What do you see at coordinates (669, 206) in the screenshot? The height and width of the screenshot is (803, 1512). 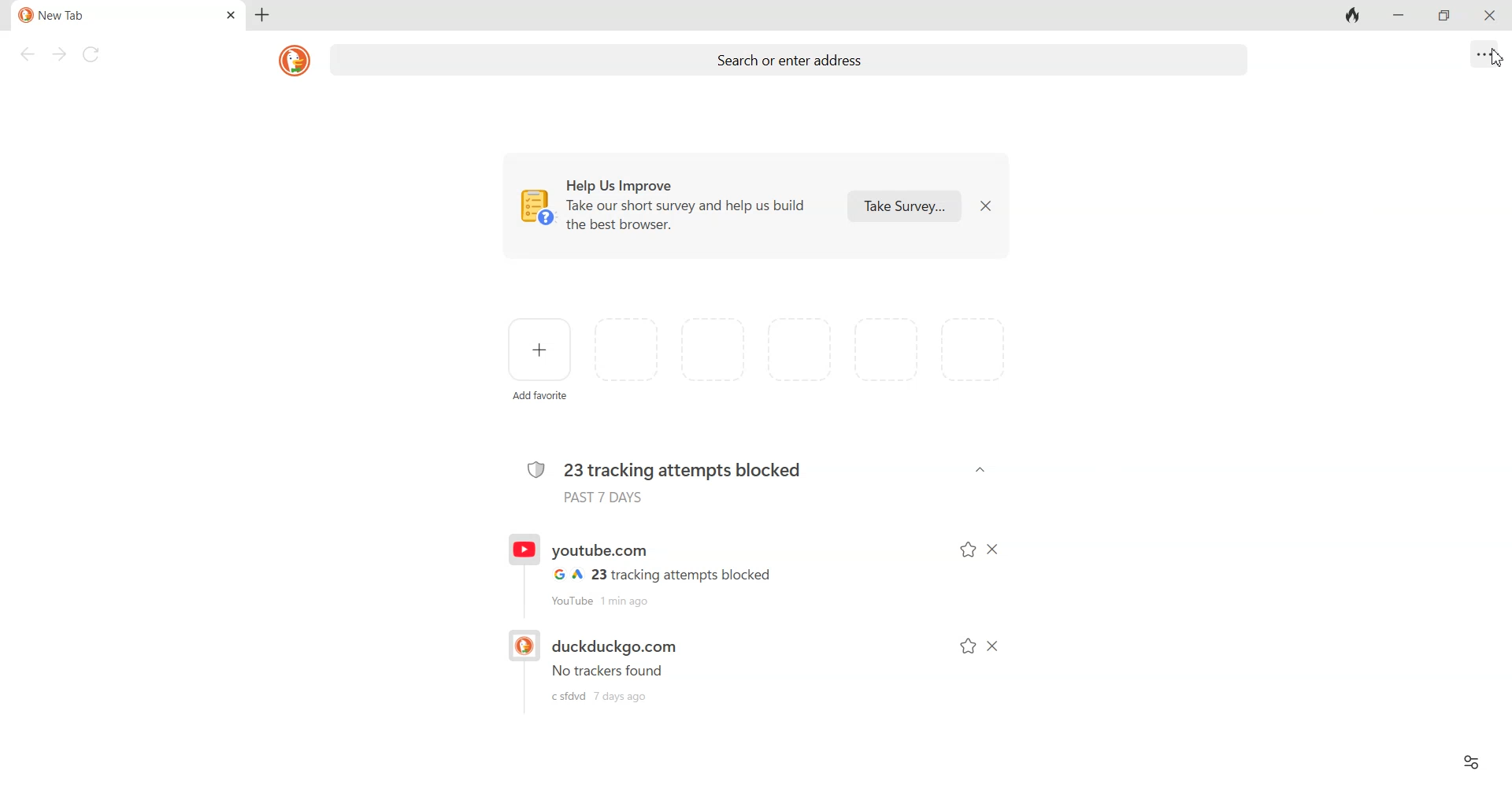 I see `Help us Improve. Take out short survey and help us build the best browser` at bounding box center [669, 206].